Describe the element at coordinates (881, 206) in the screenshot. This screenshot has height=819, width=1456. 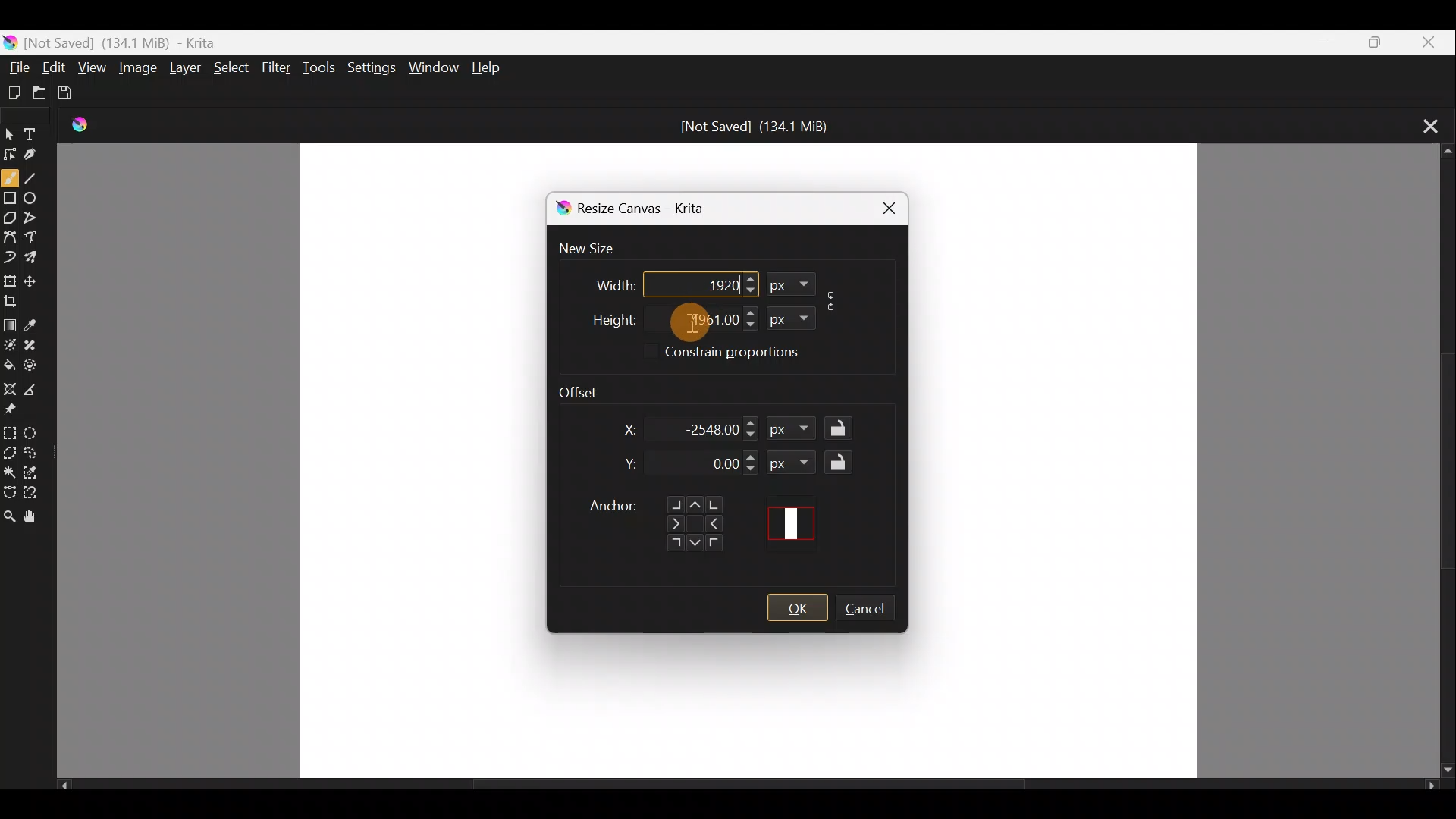
I see `Close` at that location.